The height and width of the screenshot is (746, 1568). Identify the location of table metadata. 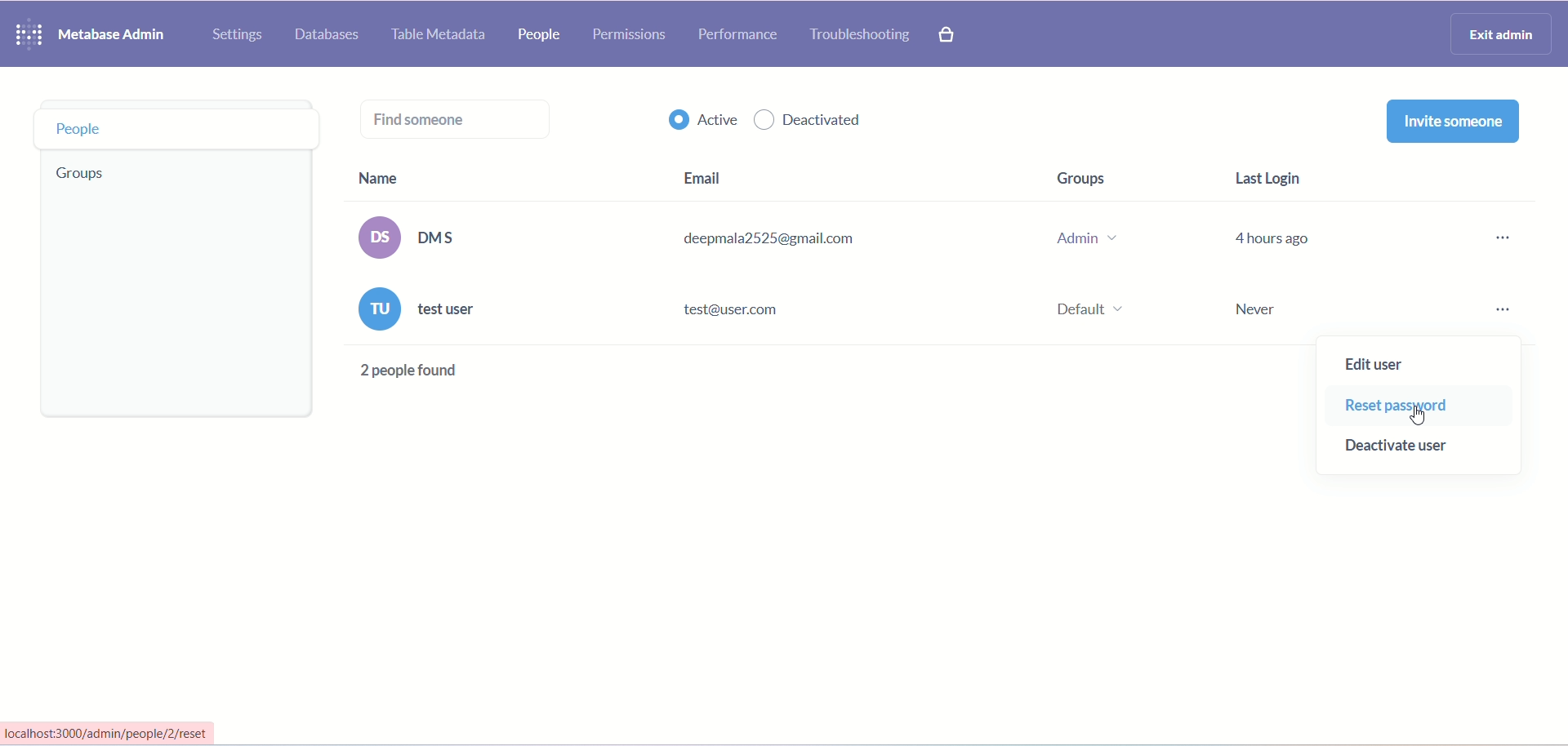
(442, 35).